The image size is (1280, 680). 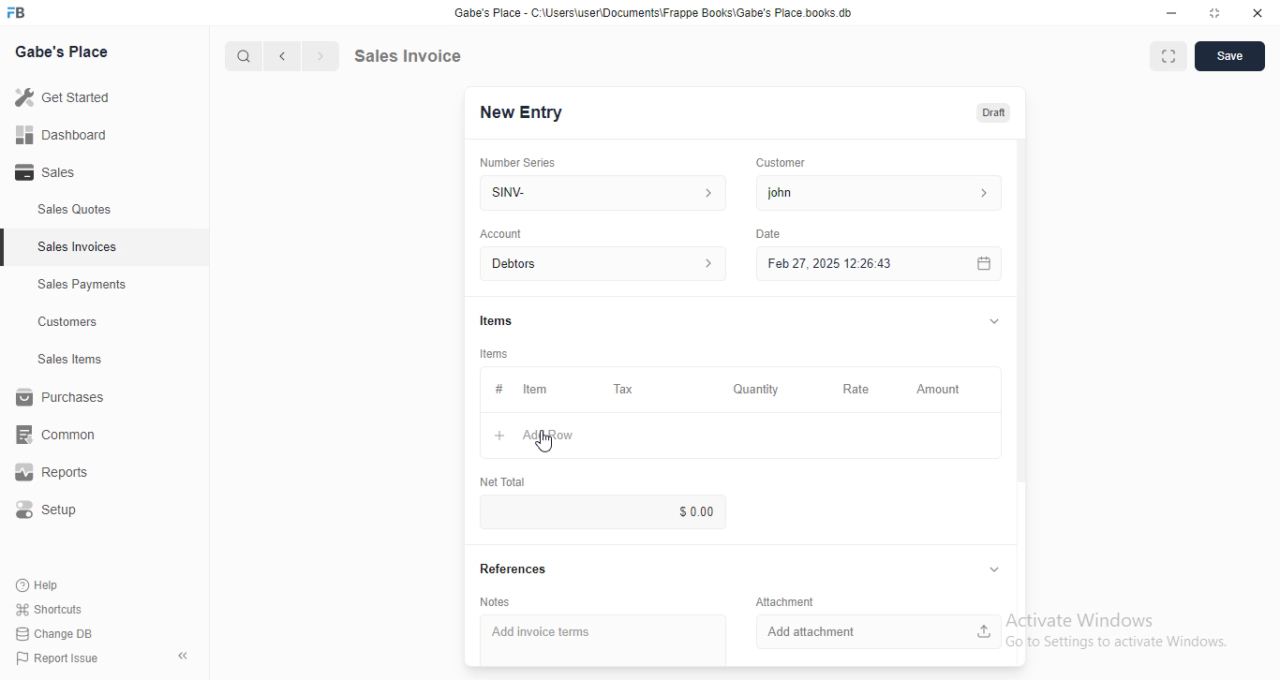 I want to click on References, so click(x=520, y=568).